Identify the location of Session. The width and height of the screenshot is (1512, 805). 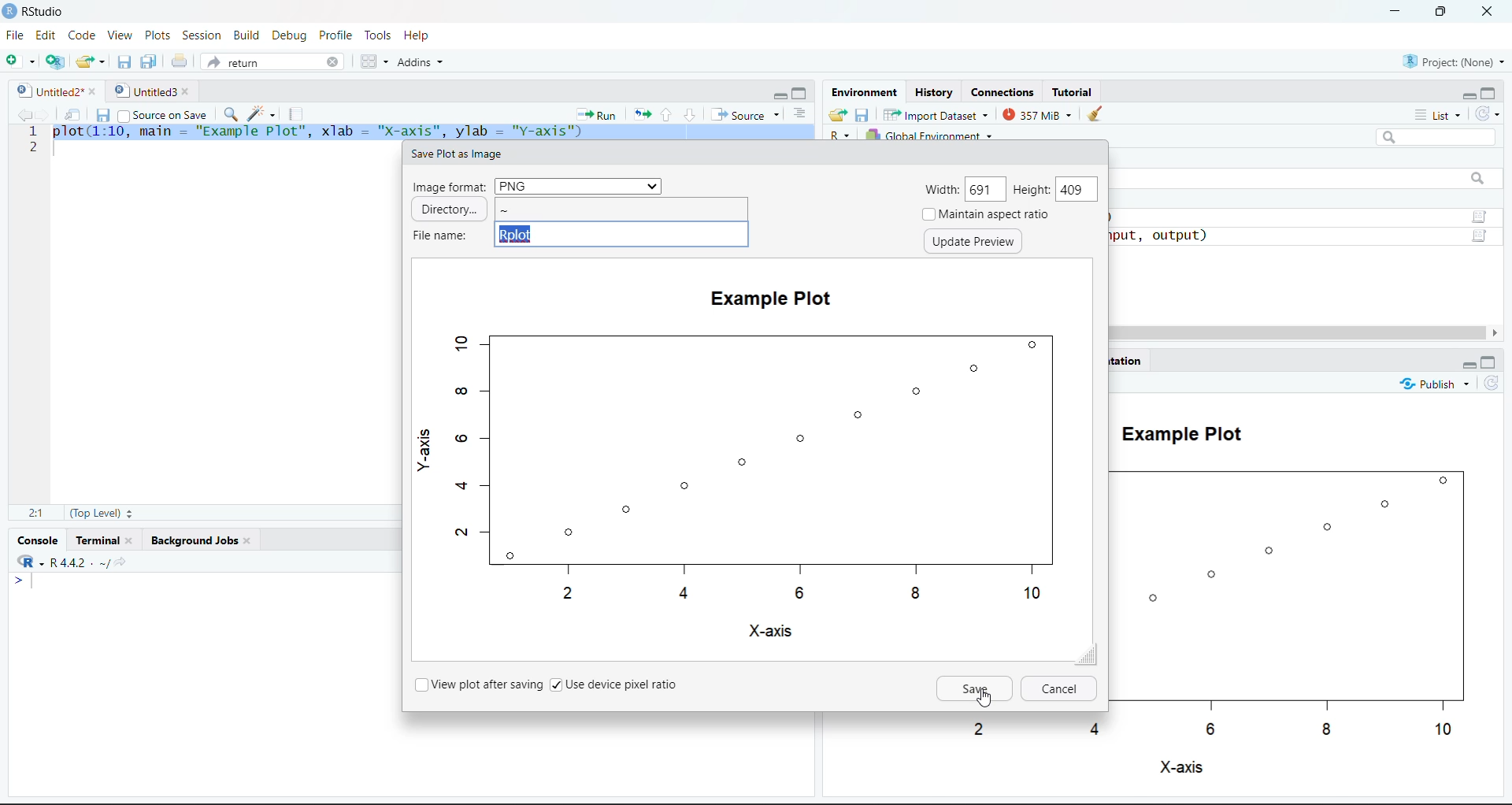
(202, 34).